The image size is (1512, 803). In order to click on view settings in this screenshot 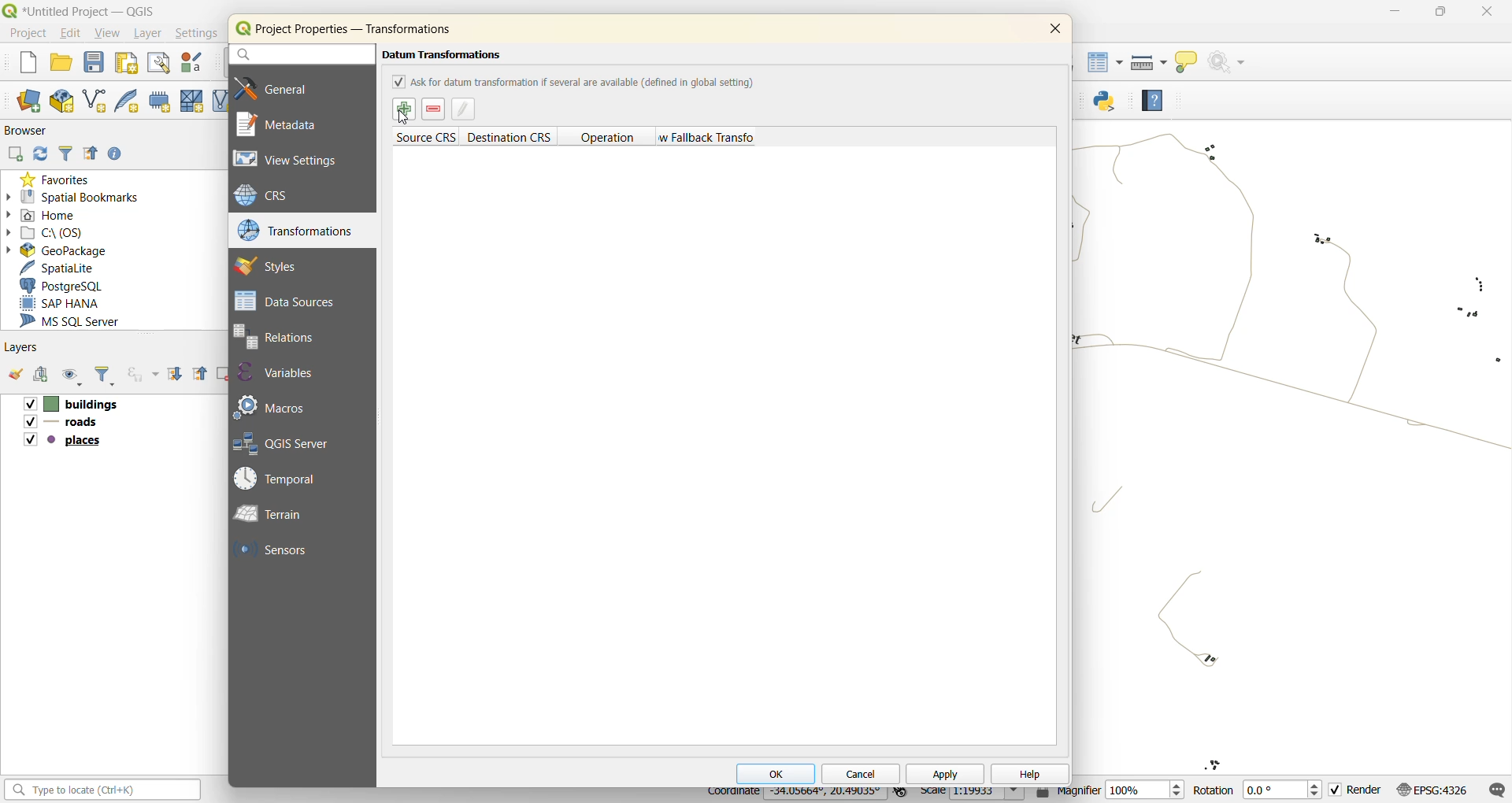, I will do `click(294, 161)`.